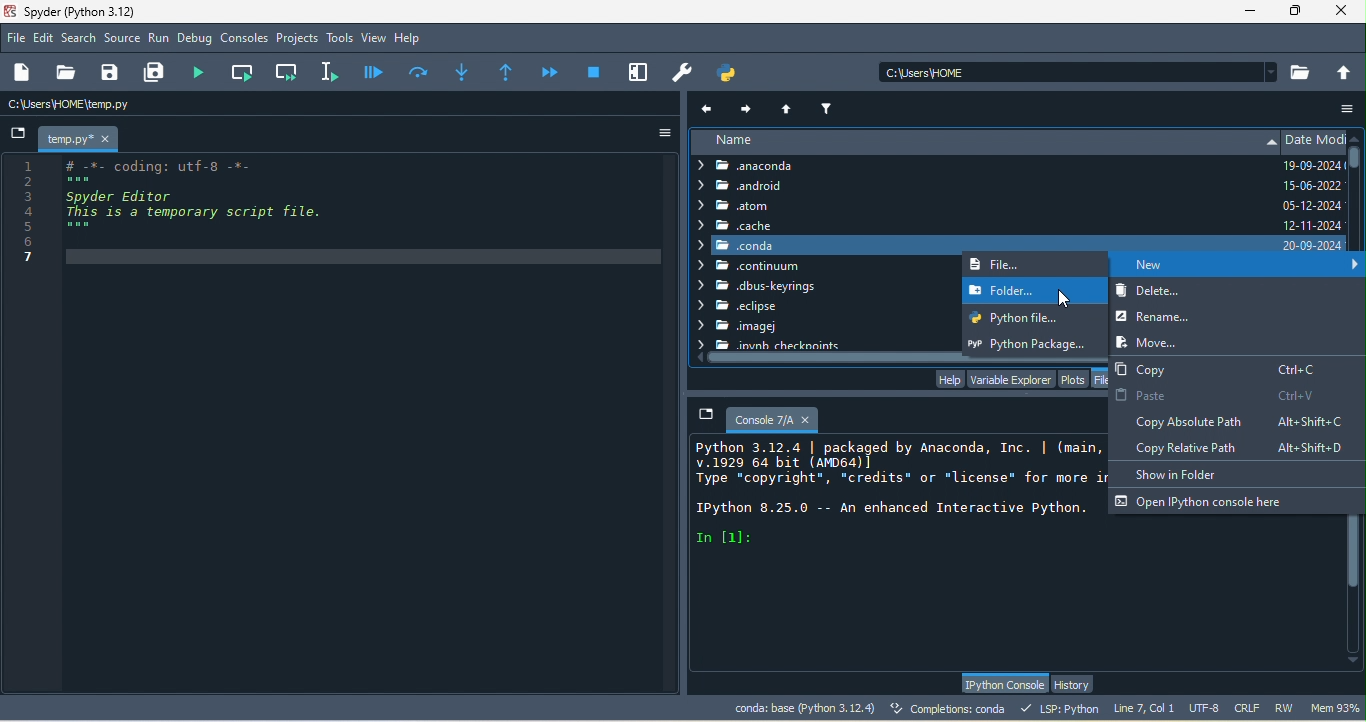 The image size is (1366, 722). I want to click on date modified, so click(1314, 191).